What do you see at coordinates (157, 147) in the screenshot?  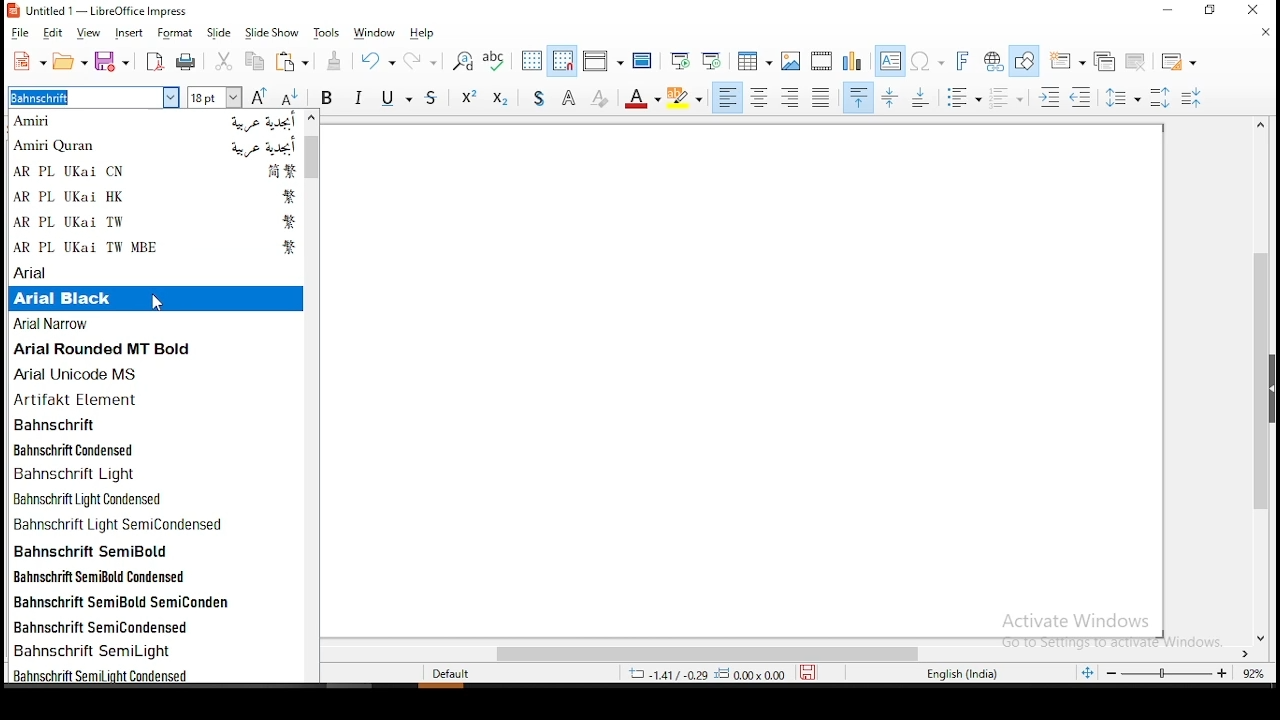 I see `amiri quran` at bounding box center [157, 147].